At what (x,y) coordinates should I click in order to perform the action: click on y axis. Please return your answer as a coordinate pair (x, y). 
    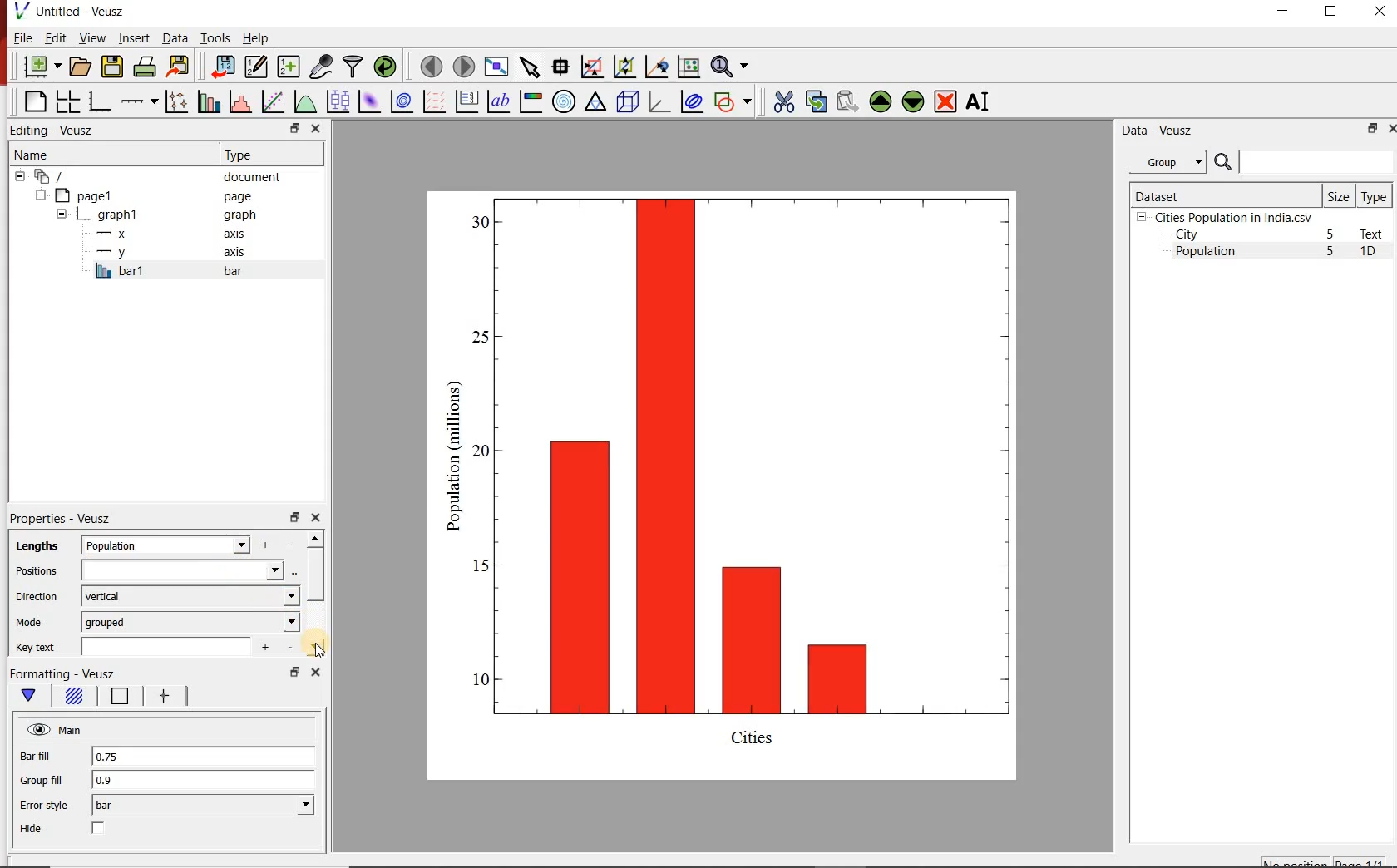
    Looking at the image, I should click on (174, 253).